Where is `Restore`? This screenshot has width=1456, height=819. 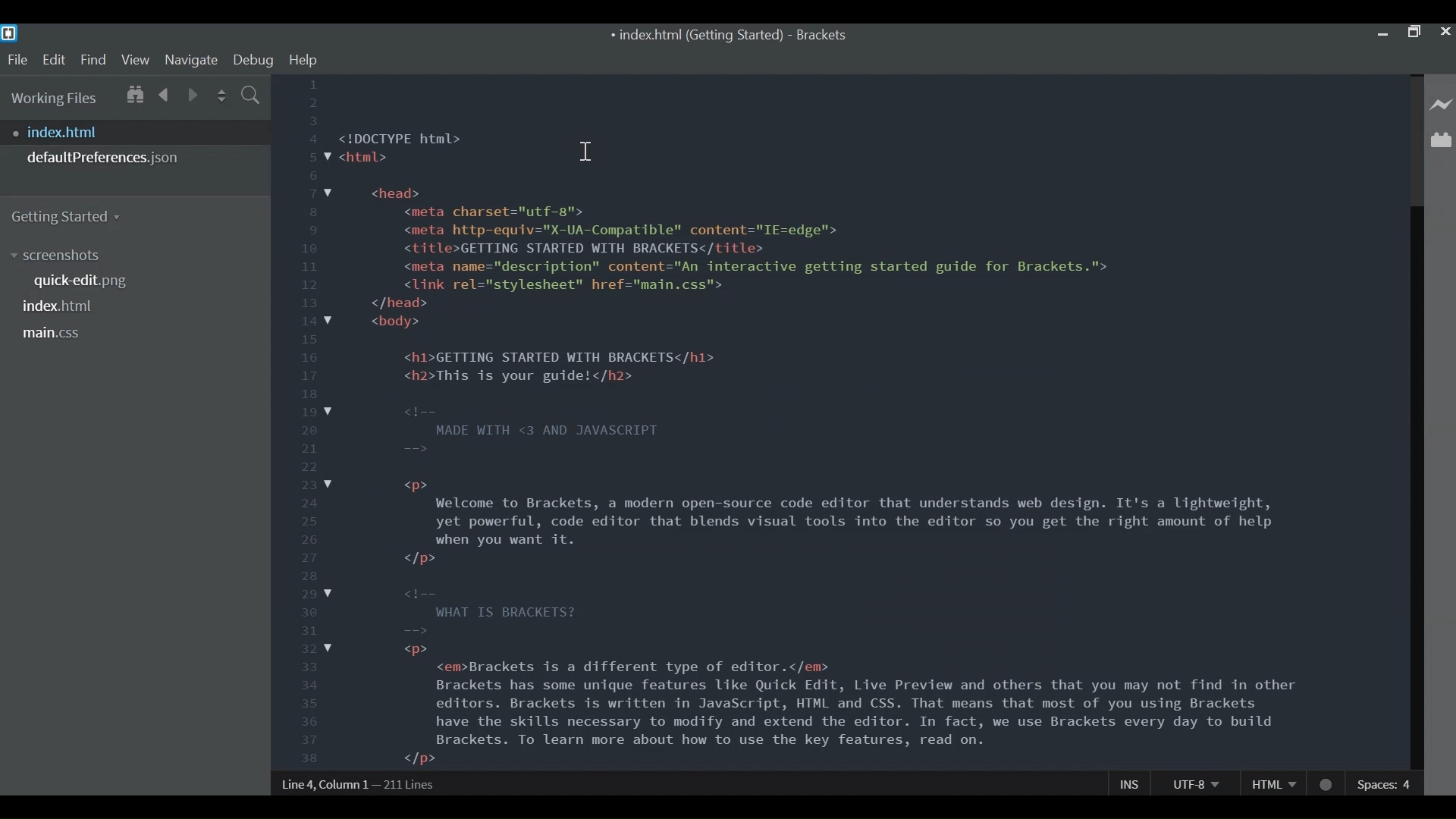 Restore is located at coordinates (1413, 33).